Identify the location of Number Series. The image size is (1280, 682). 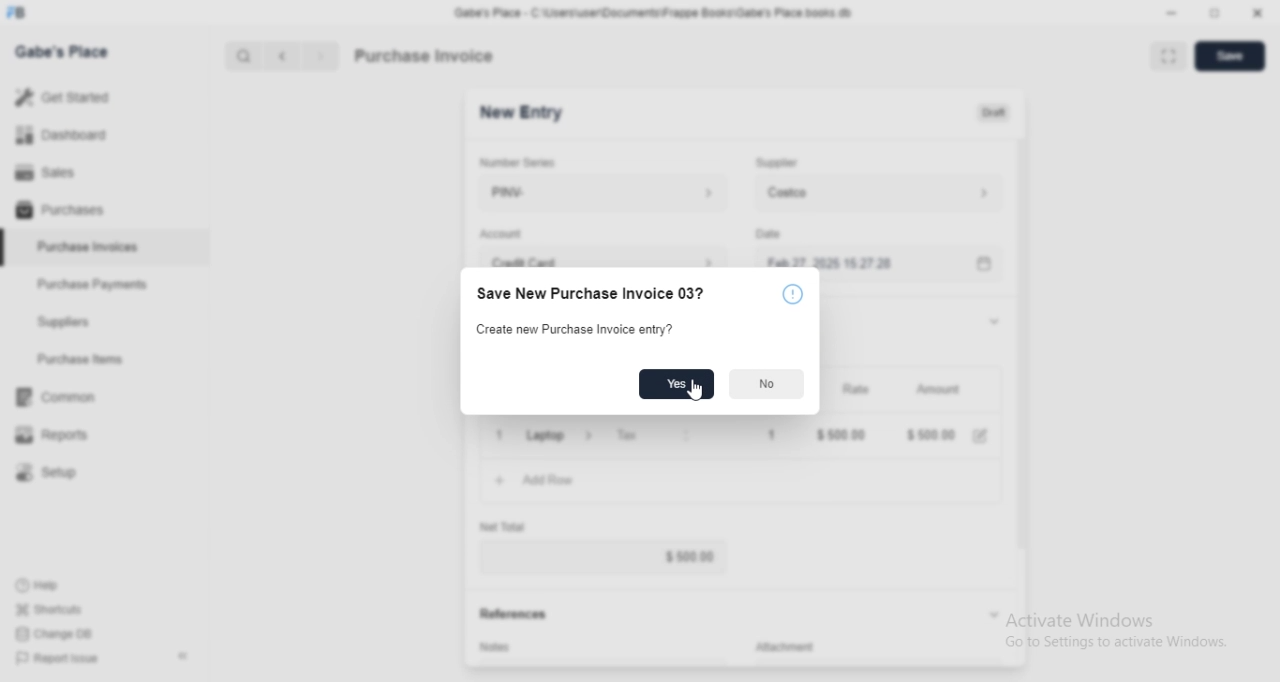
(518, 163).